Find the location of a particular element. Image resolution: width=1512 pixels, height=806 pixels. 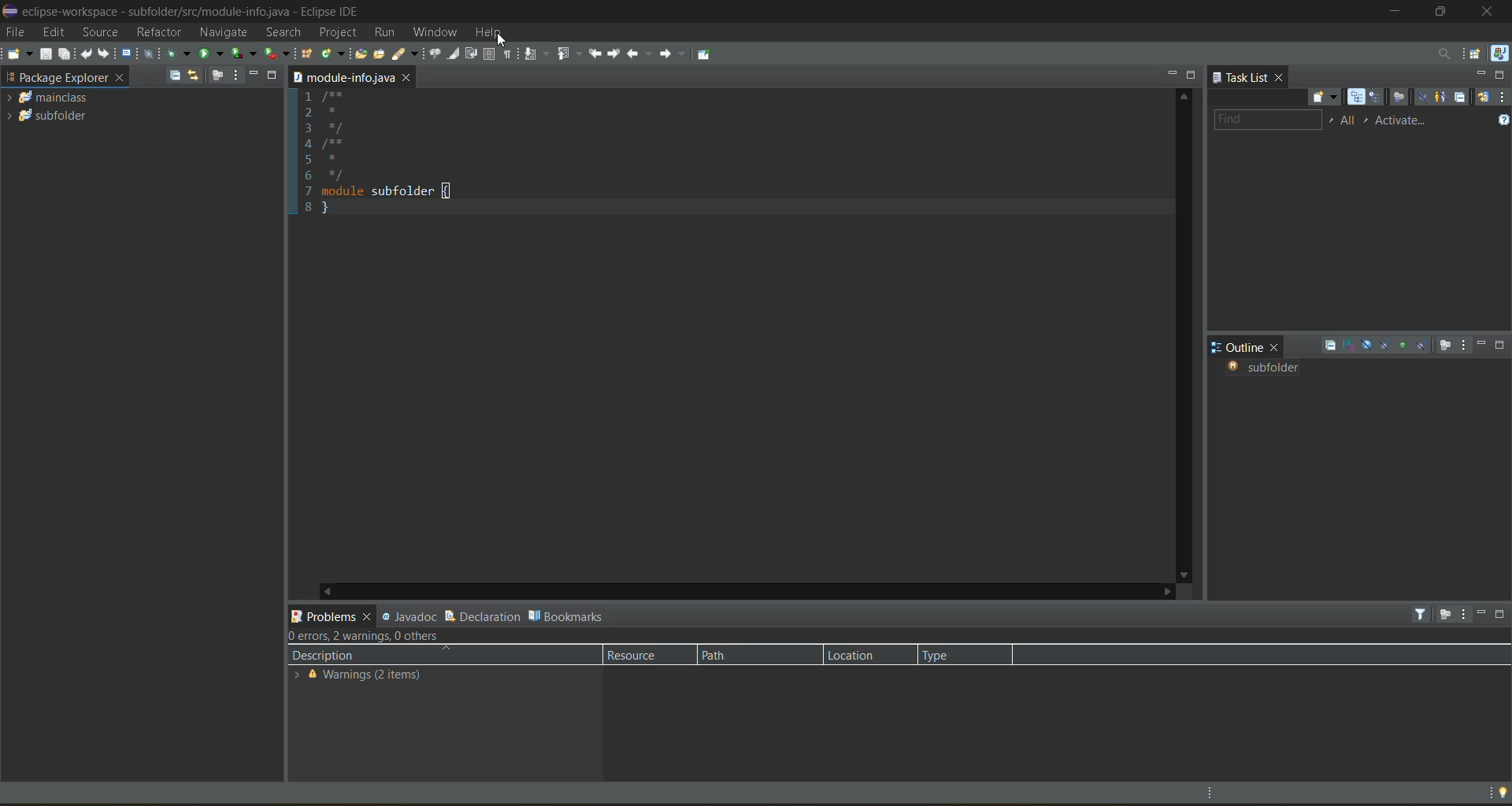

javadoc is located at coordinates (409, 616).